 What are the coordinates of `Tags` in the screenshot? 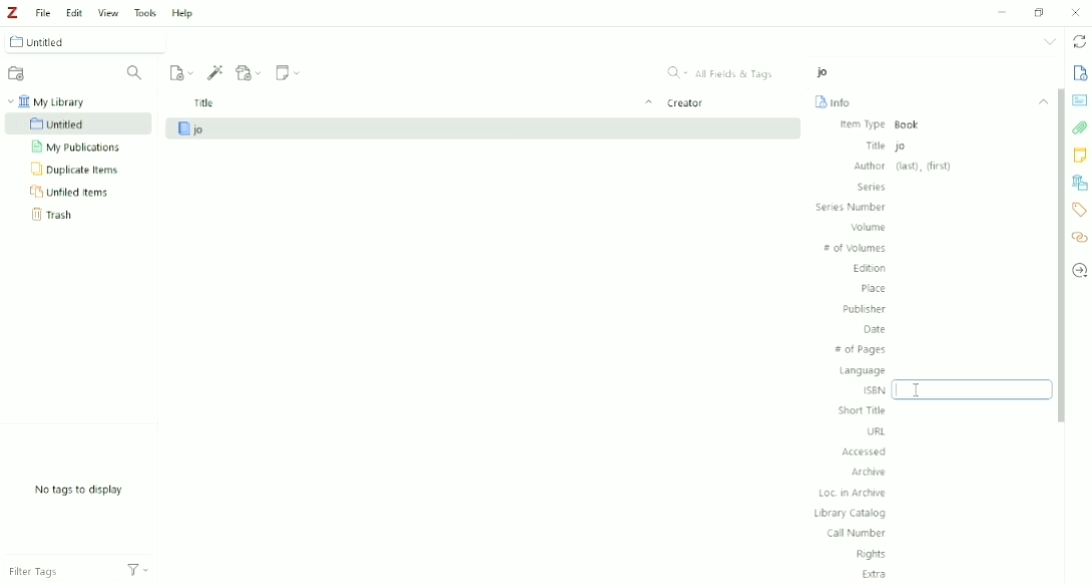 It's located at (1080, 209).